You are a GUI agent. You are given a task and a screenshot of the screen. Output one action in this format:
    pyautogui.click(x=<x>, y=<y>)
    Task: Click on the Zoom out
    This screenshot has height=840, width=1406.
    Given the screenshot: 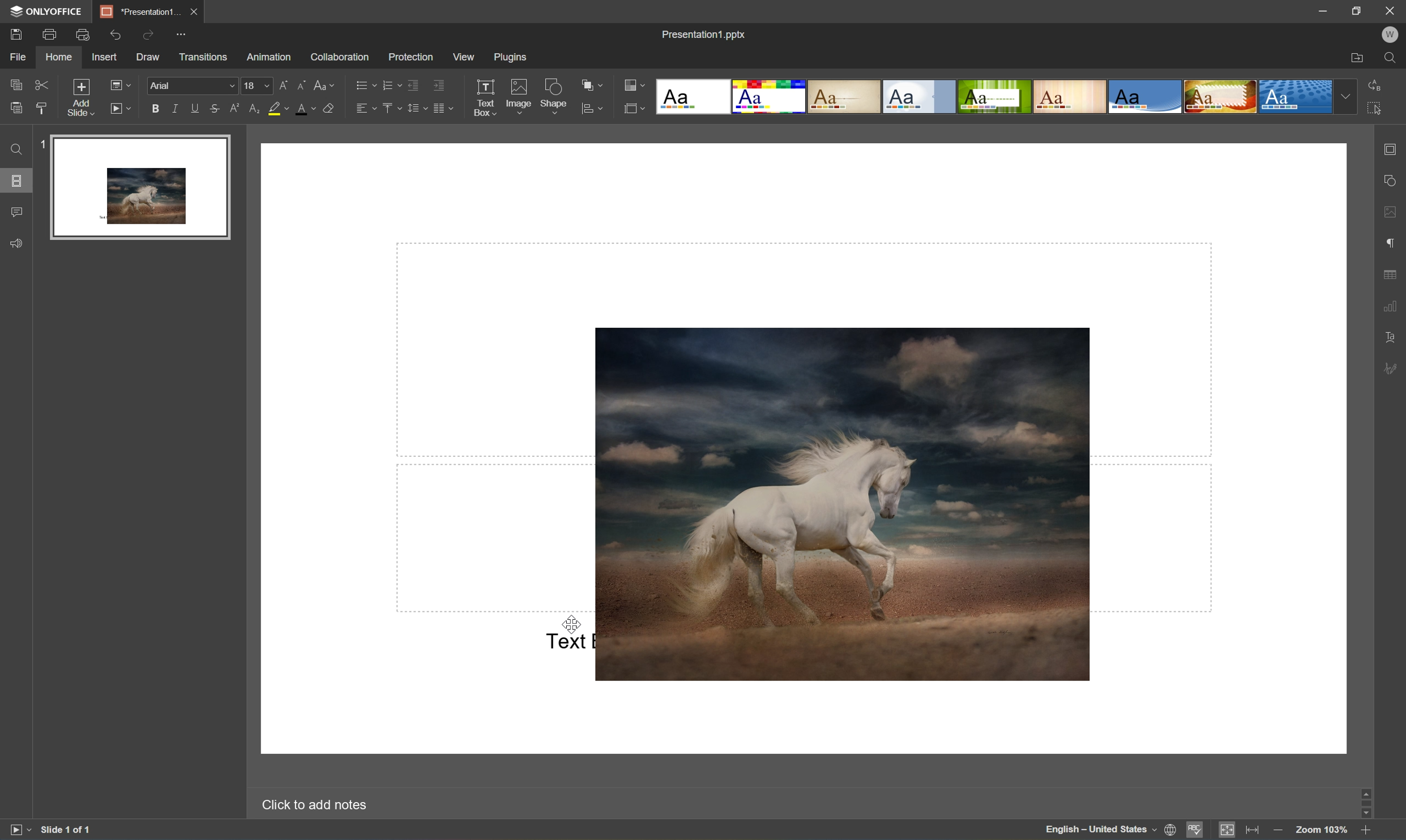 What is the action you would take?
    pyautogui.click(x=1279, y=833)
    